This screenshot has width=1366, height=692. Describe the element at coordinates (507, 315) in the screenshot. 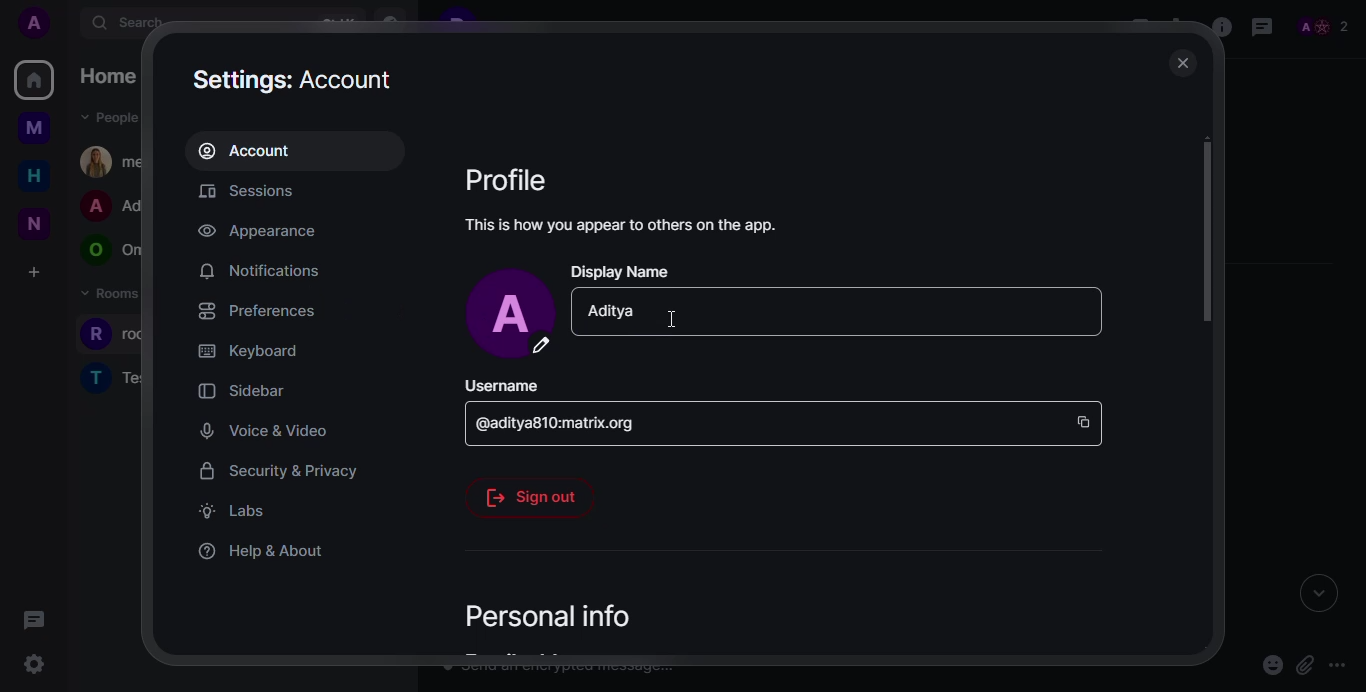

I see `profile pic` at that location.